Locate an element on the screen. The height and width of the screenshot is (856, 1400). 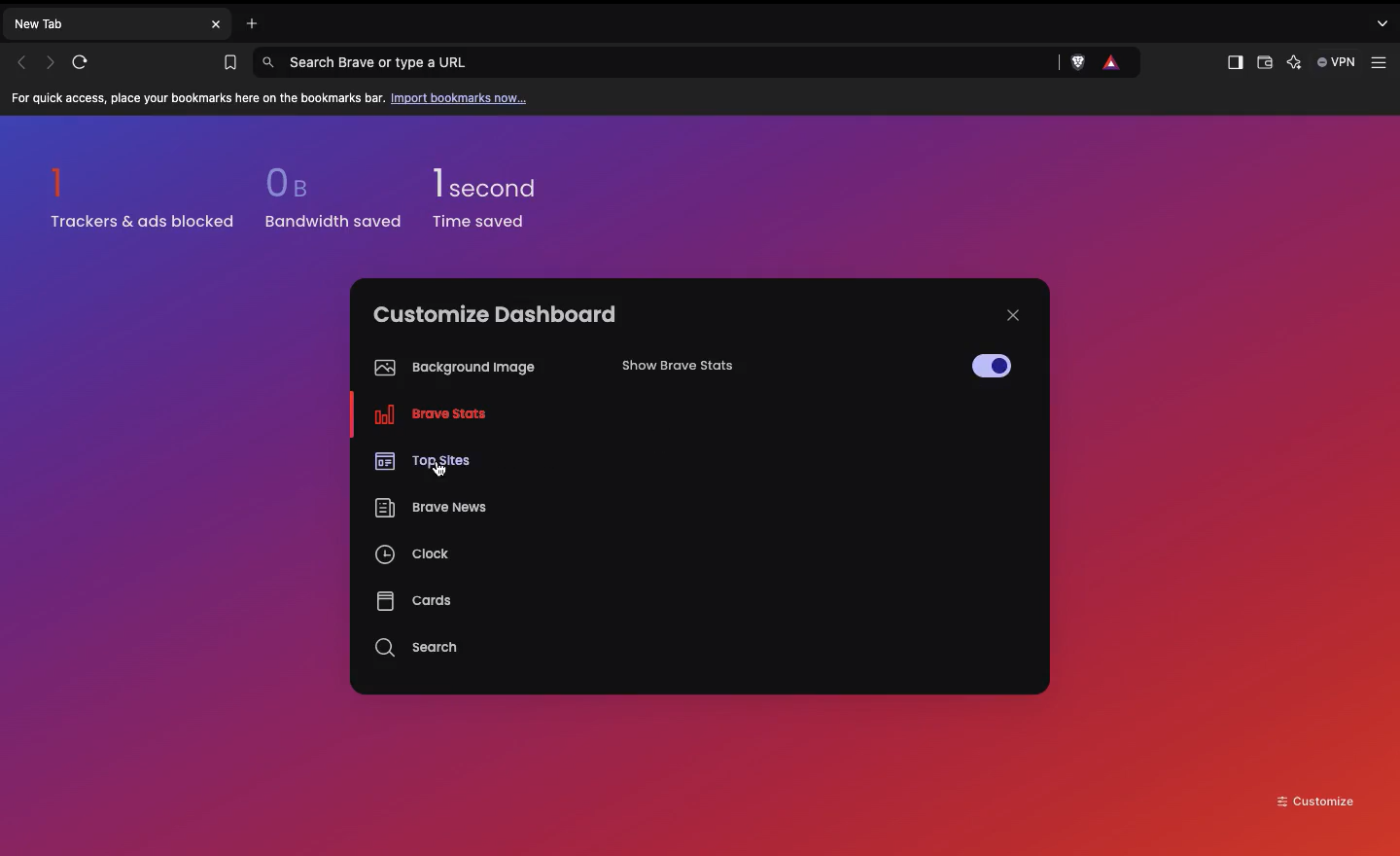
Leo AI  is located at coordinates (1294, 63).